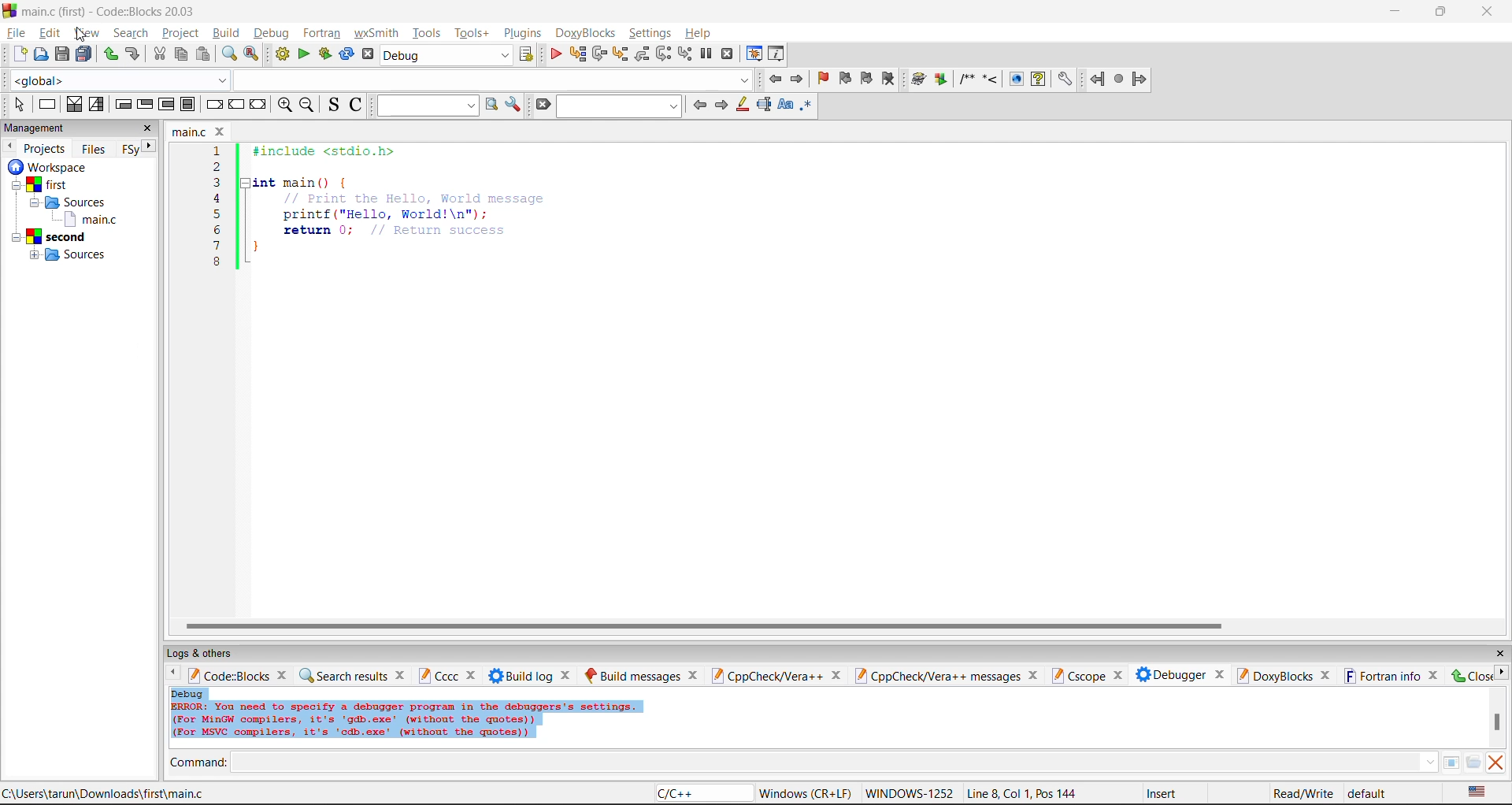 This screenshot has height=805, width=1512. Describe the element at coordinates (810, 106) in the screenshot. I see `use regex` at that location.